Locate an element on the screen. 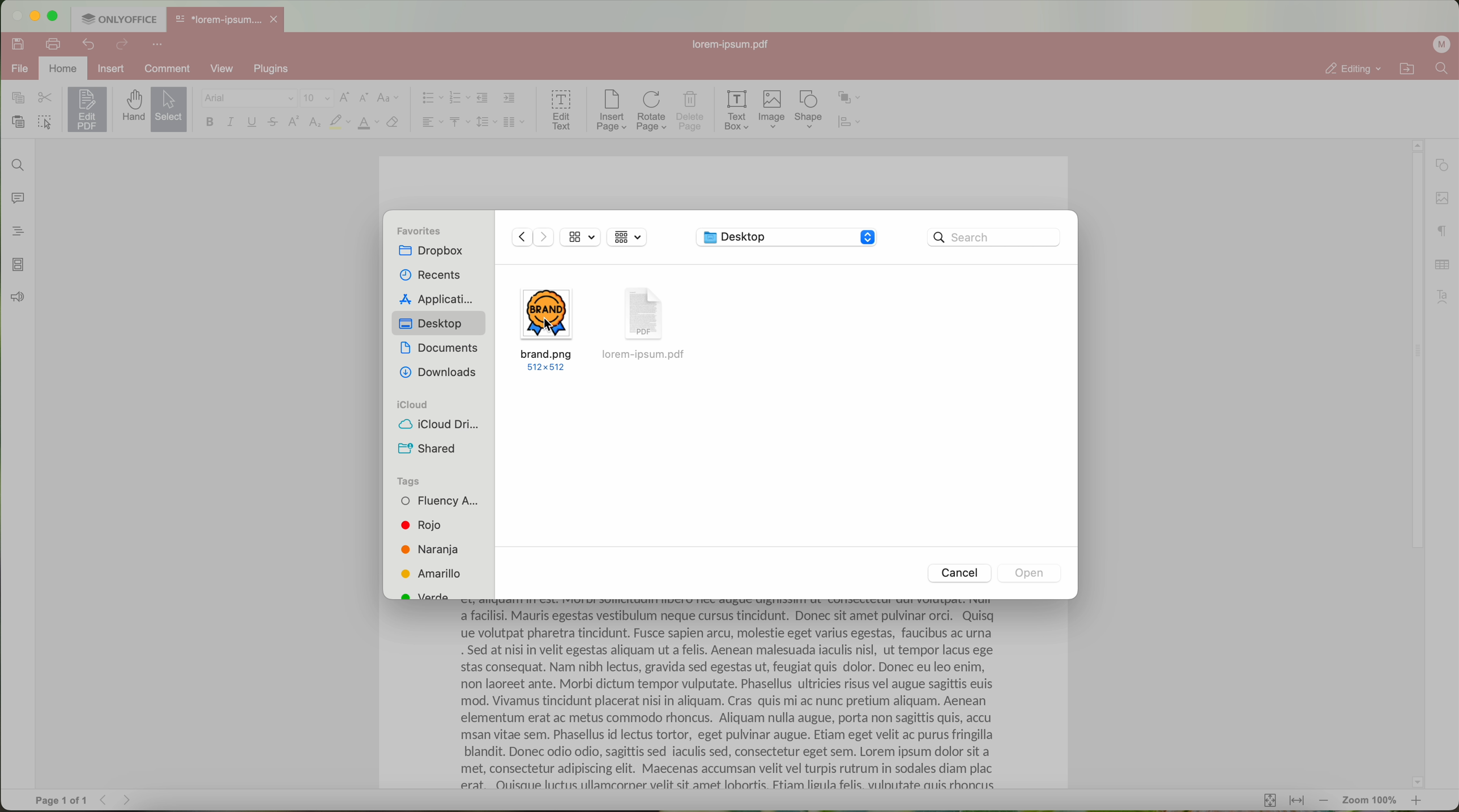 The width and height of the screenshot is (1459, 812). color type is located at coordinates (369, 123).